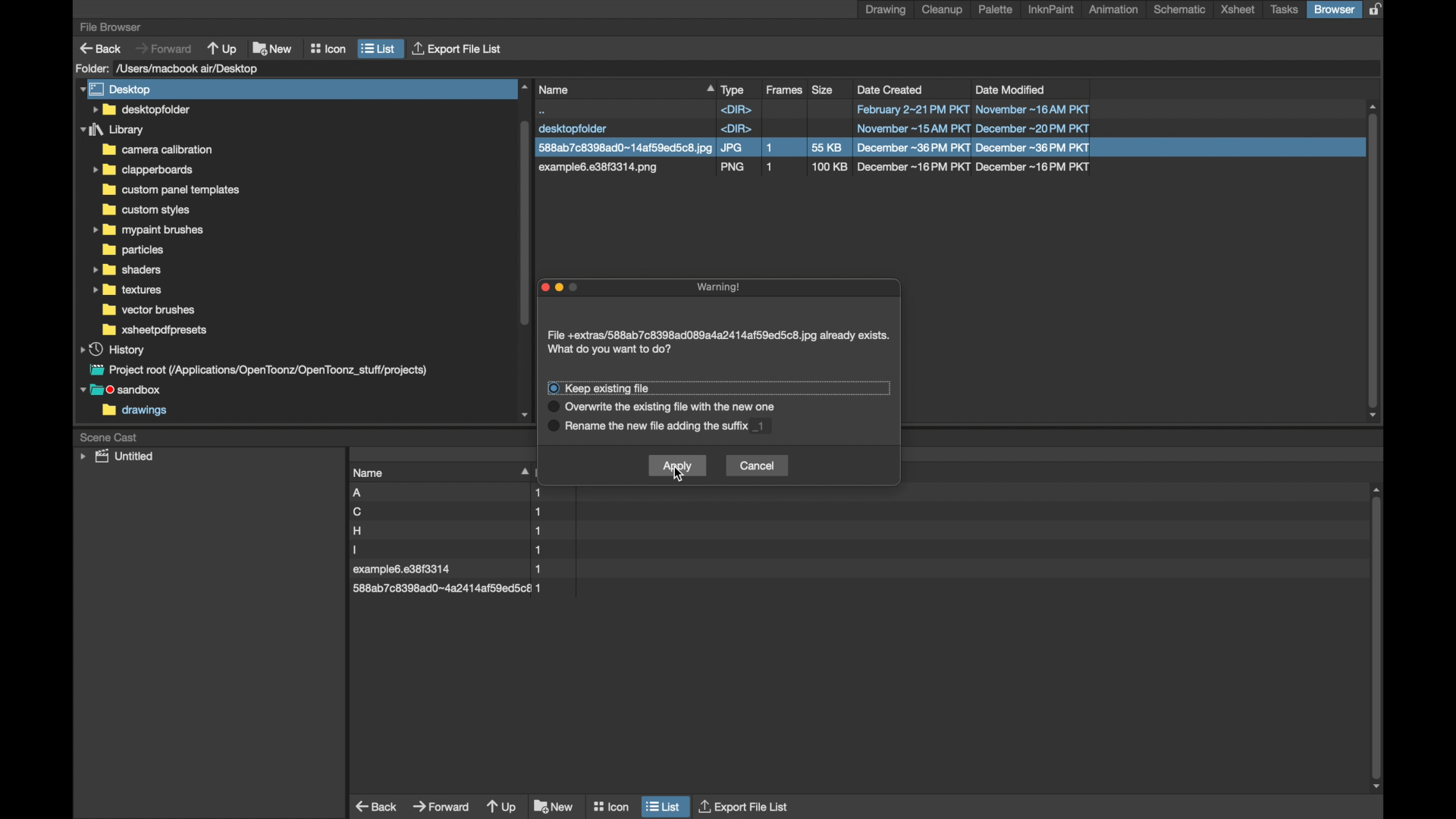  Describe the element at coordinates (945, 10) in the screenshot. I see `cleanup` at that location.